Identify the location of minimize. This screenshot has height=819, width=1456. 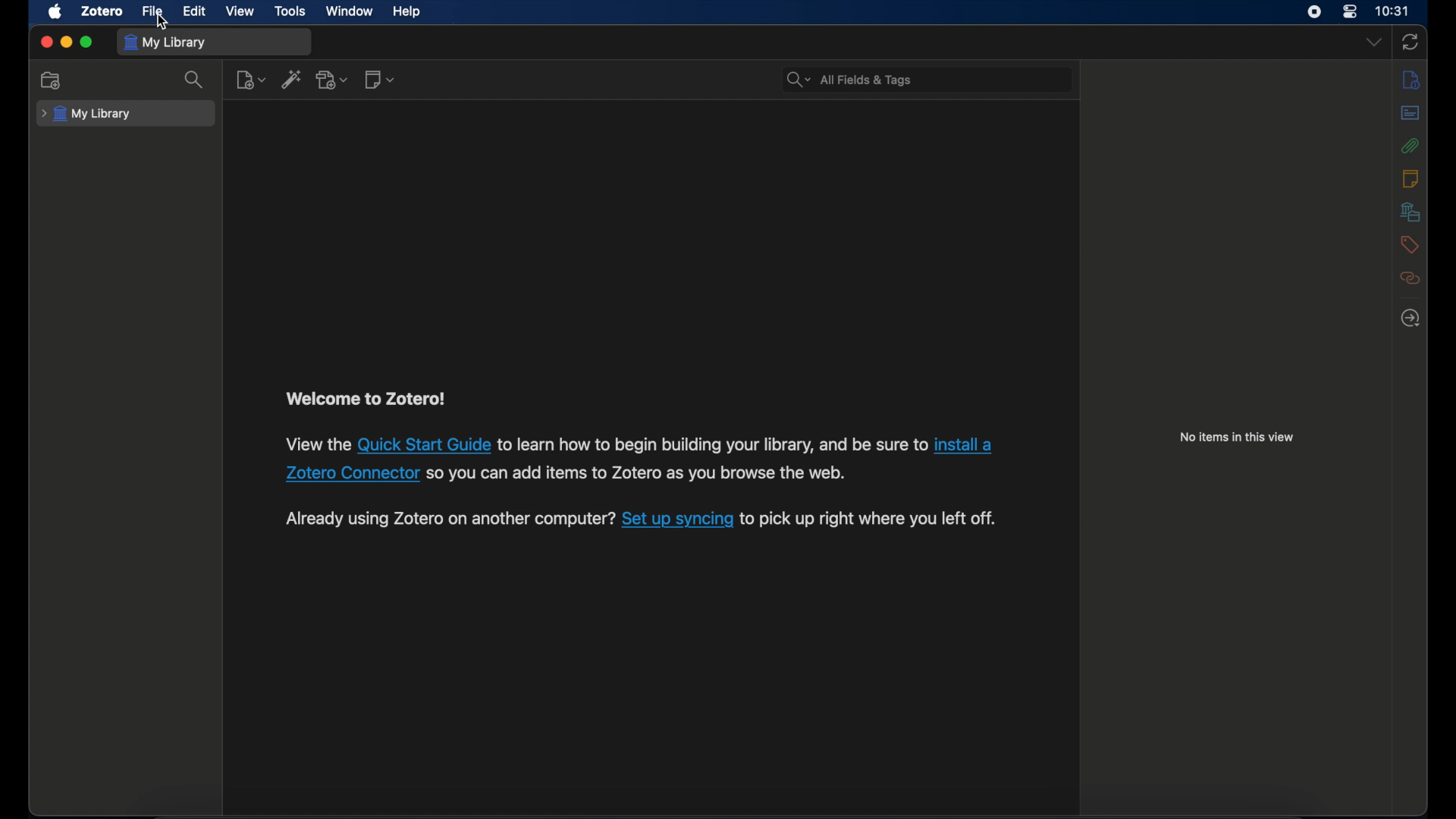
(65, 43).